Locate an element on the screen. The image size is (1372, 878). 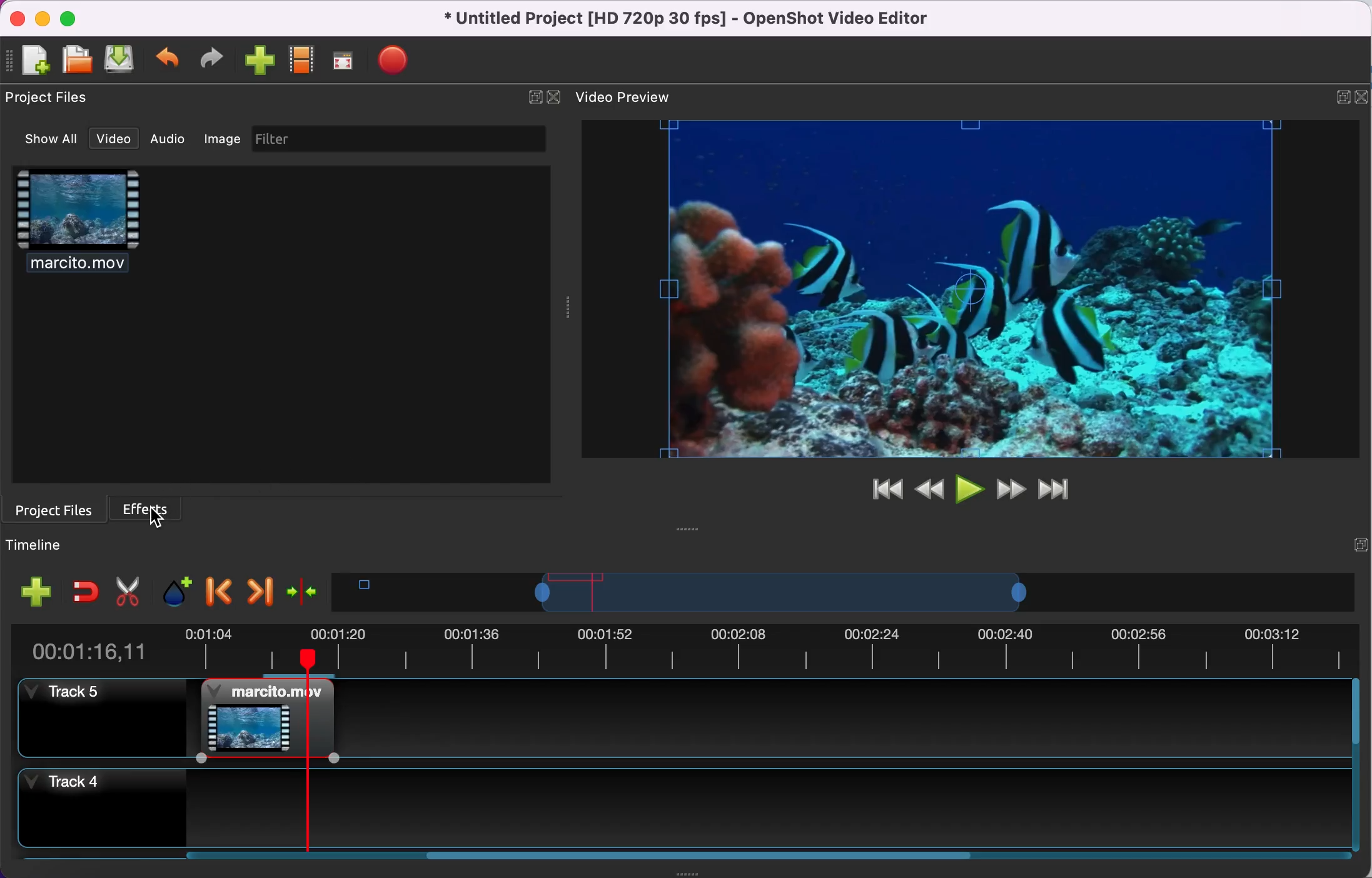
minimize is located at coordinates (43, 16).